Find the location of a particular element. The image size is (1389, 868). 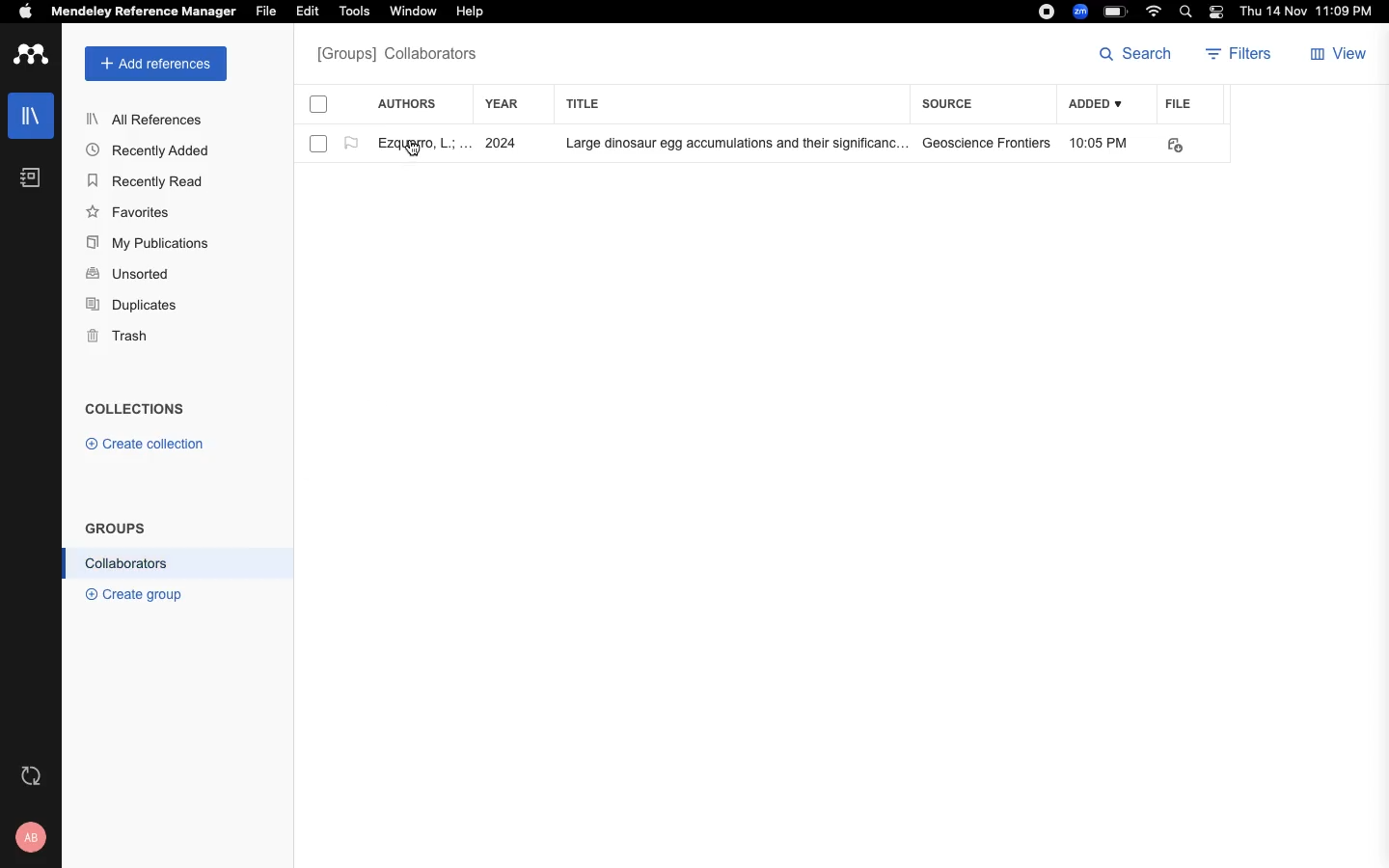

refresh is located at coordinates (34, 775).